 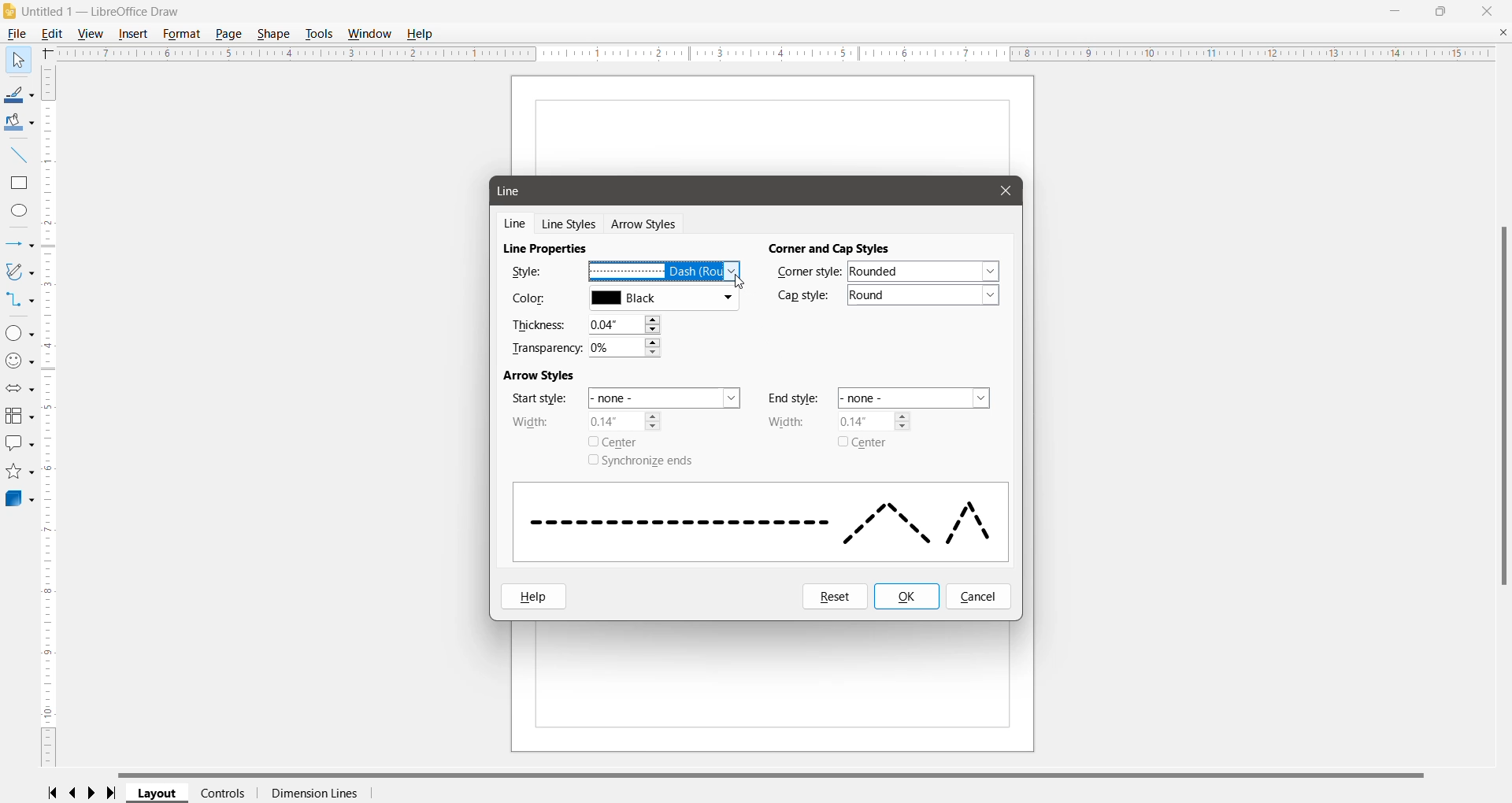 I want to click on Vertical Scroll Bar, so click(x=50, y=415).